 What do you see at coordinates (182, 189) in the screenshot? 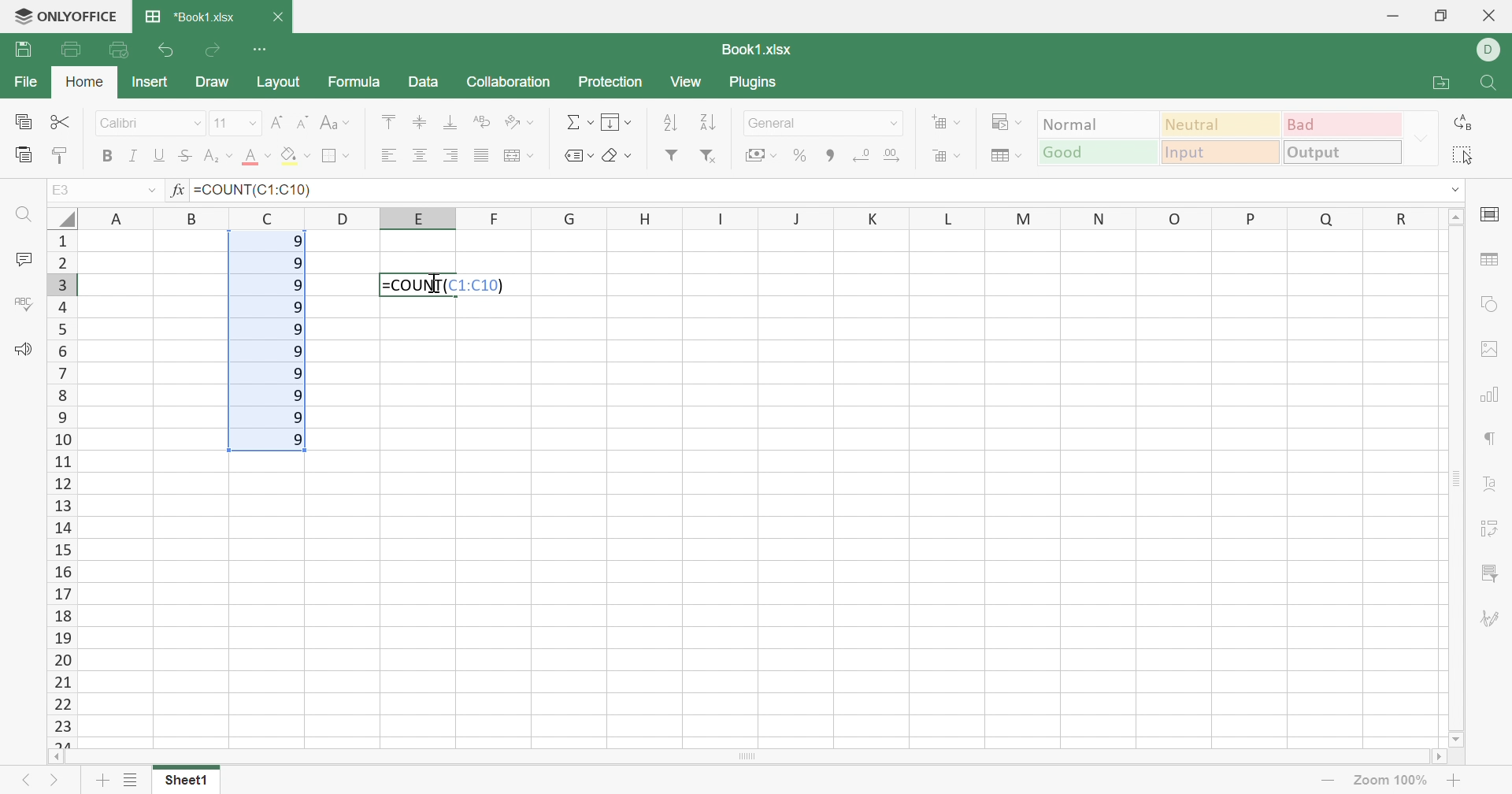
I see `fx` at bounding box center [182, 189].